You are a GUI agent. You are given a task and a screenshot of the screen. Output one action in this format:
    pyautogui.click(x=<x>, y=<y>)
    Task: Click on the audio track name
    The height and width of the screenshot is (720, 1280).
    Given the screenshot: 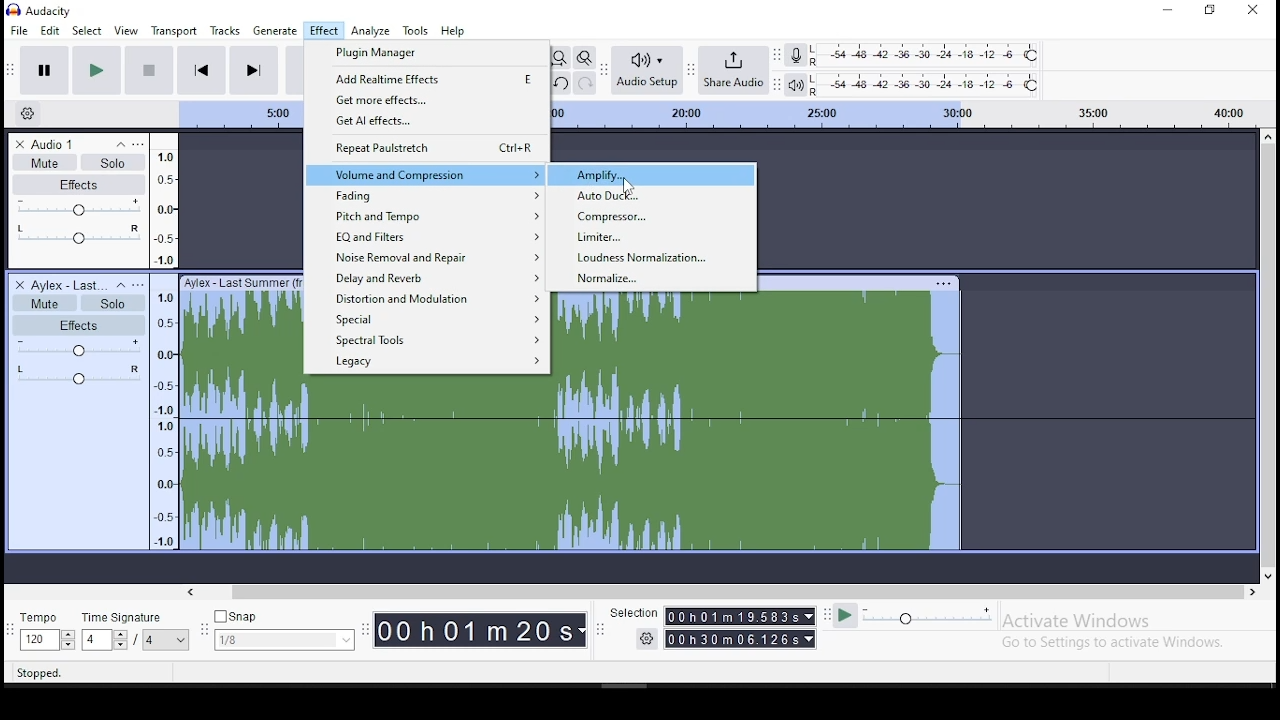 What is the action you would take?
    pyautogui.click(x=69, y=142)
    